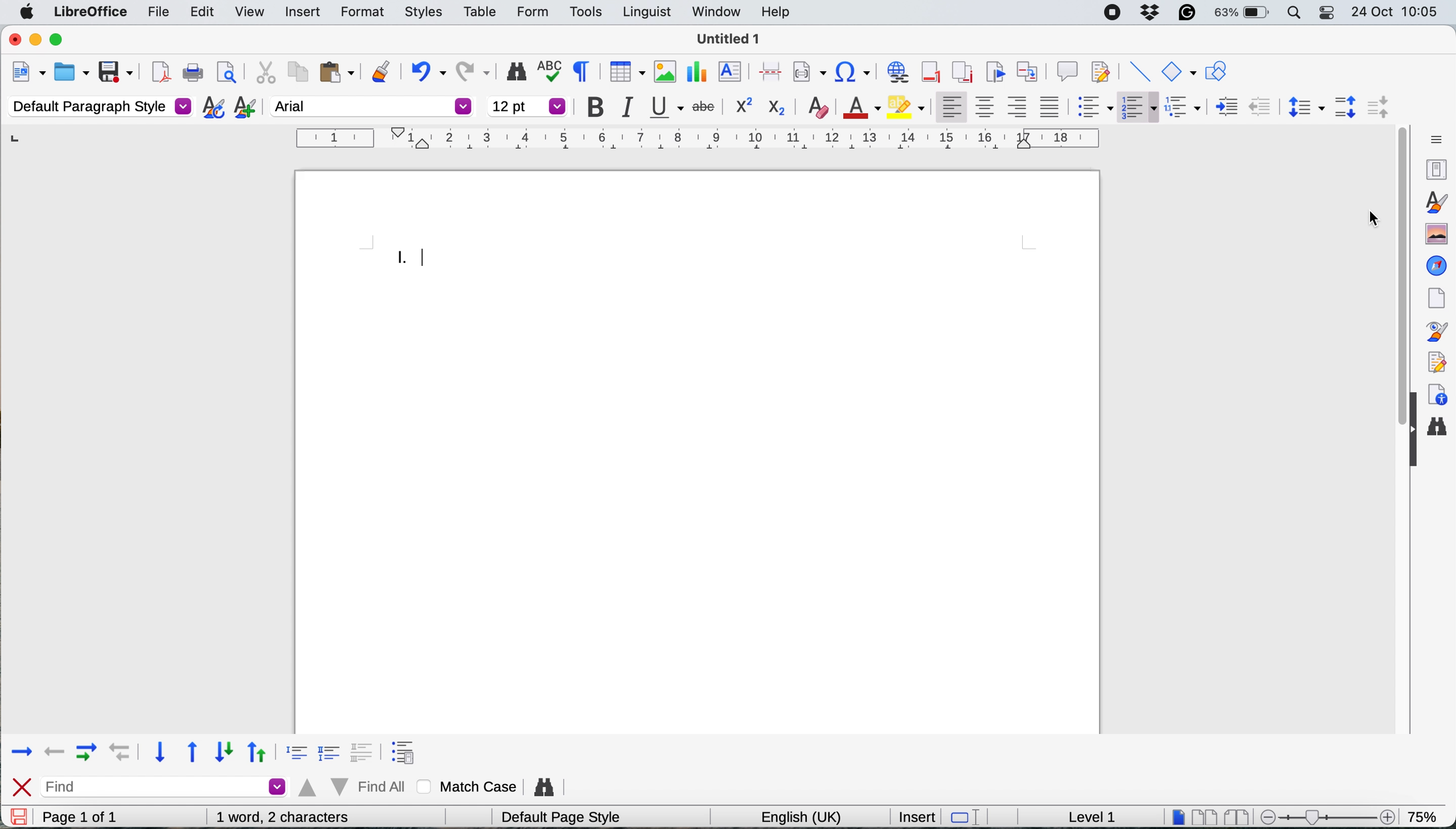  What do you see at coordinates (424, 13) in the screenshot?
I see `styles` at bounding box center [424, 13].